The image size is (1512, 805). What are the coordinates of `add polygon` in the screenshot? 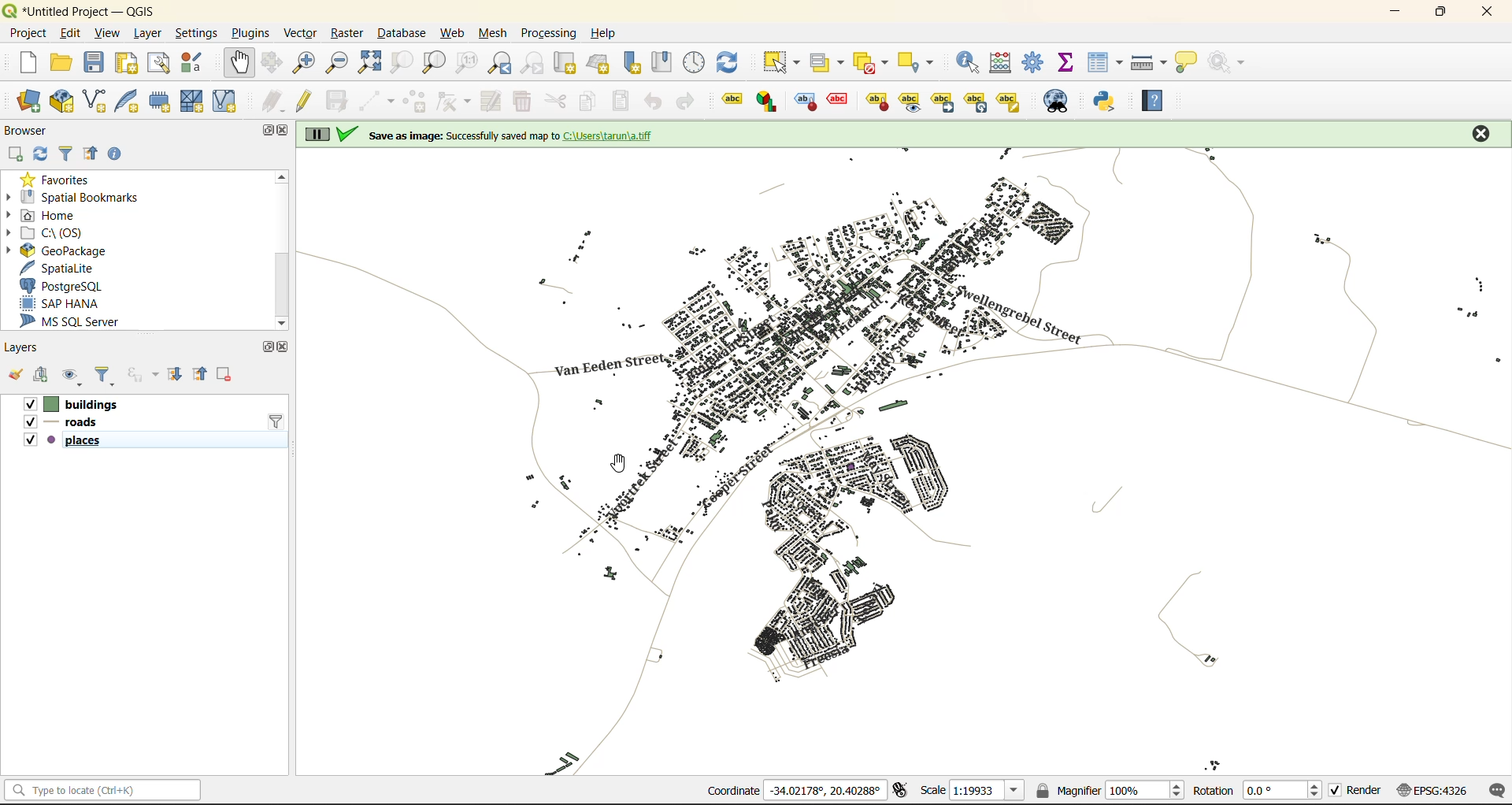 It's located at (414, 102).